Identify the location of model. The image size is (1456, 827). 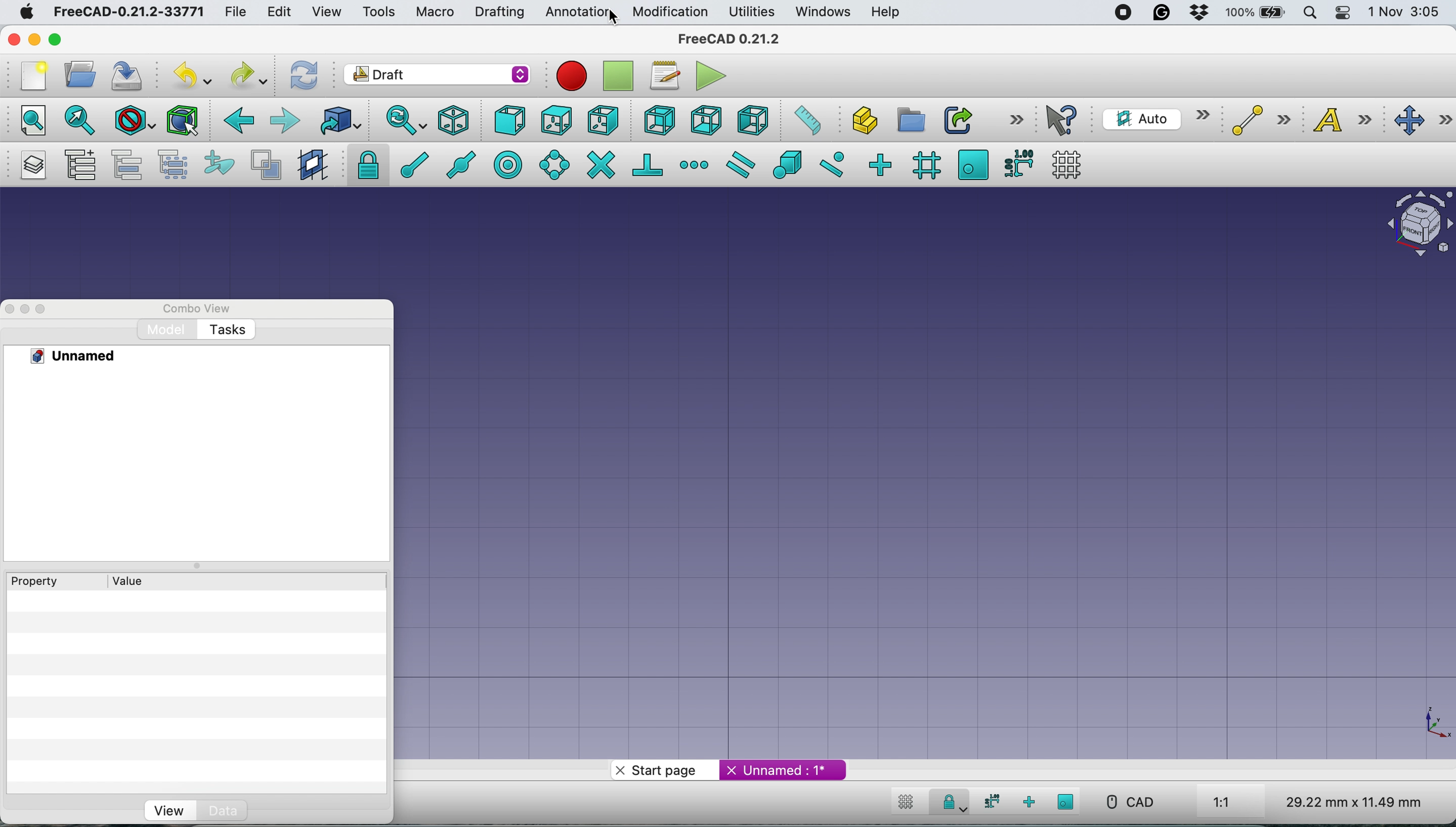
(164, 329).